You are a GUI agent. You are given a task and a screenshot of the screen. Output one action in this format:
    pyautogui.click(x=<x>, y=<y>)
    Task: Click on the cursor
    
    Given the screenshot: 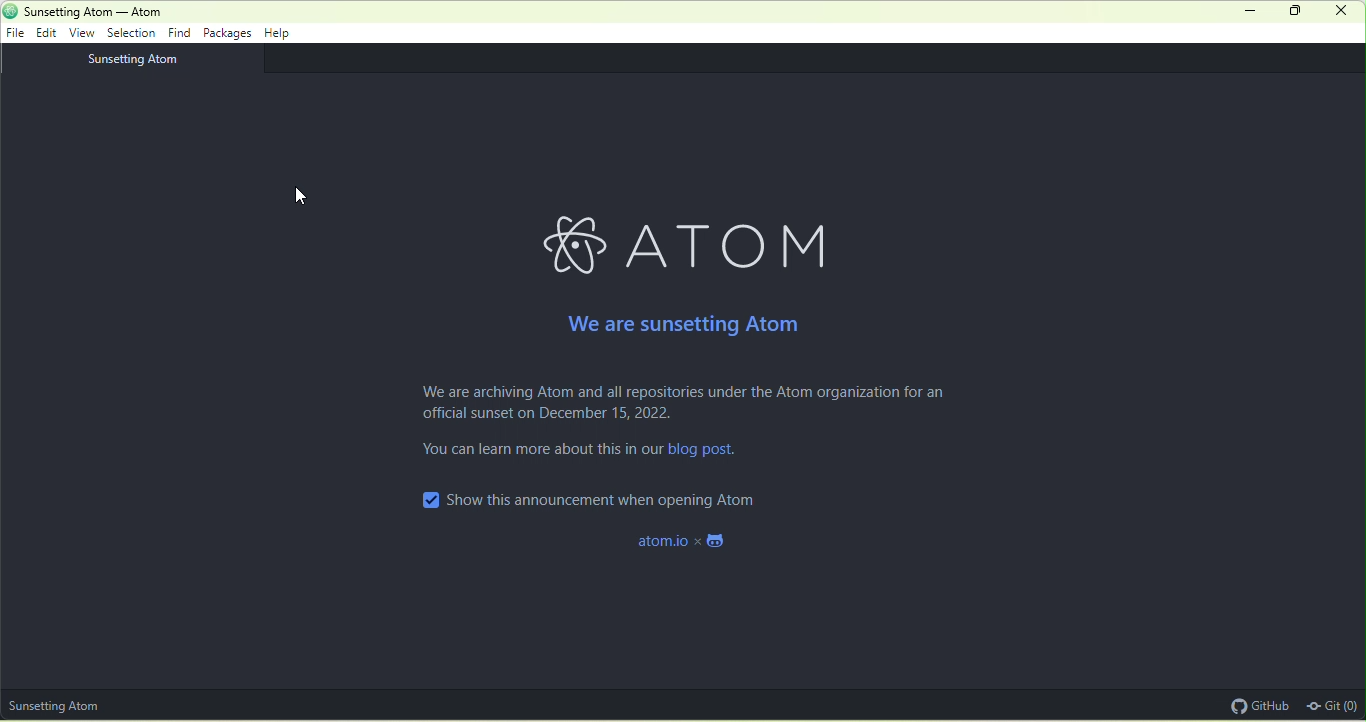 What is the action you would take?
    pyautogui.click(x=310, y=191)
    